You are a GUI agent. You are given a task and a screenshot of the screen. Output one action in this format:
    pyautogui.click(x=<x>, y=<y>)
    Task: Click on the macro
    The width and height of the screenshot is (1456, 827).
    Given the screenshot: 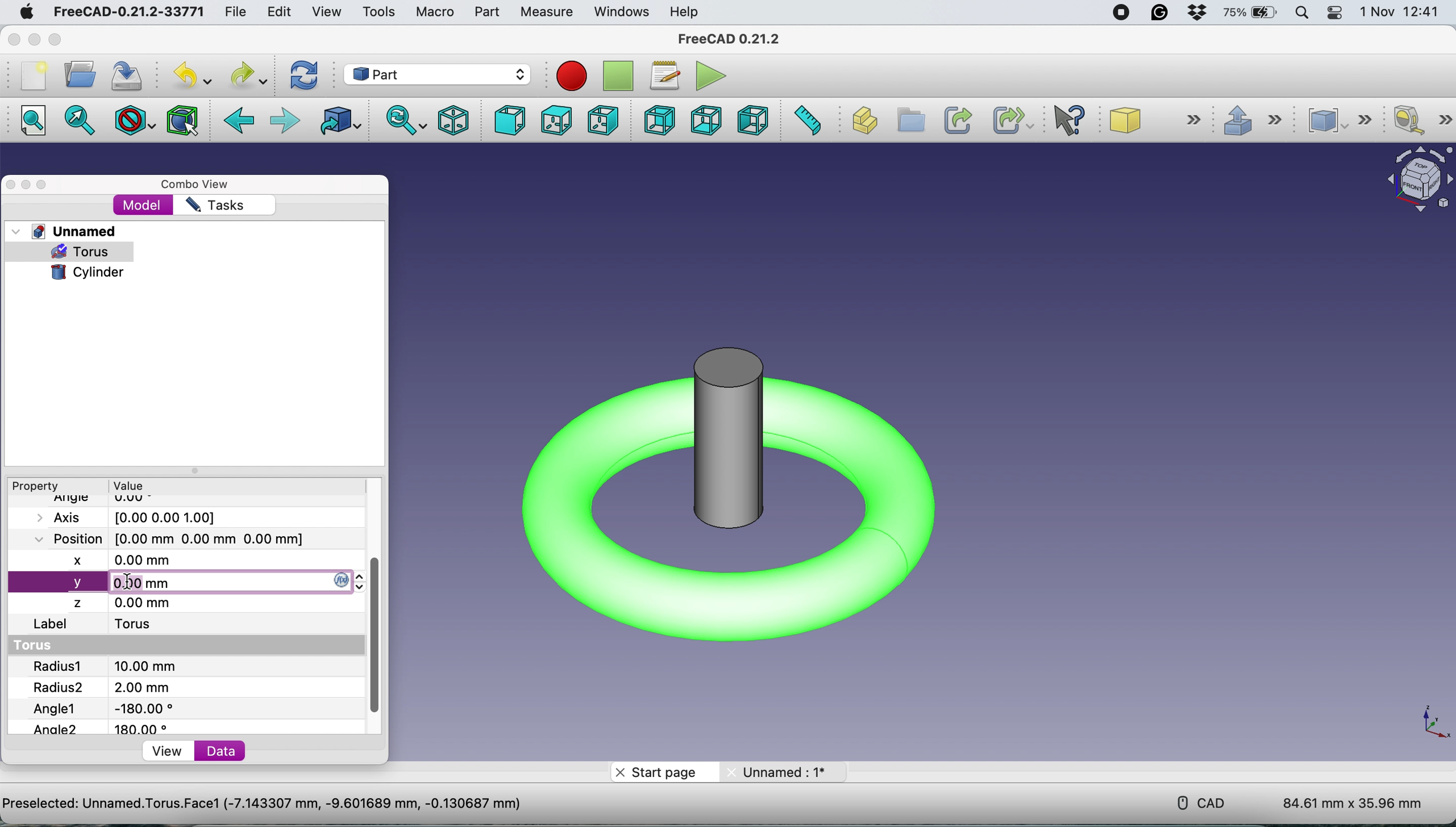 What is the action you would take?
    pyautogui.click(x=432, y=12)
    